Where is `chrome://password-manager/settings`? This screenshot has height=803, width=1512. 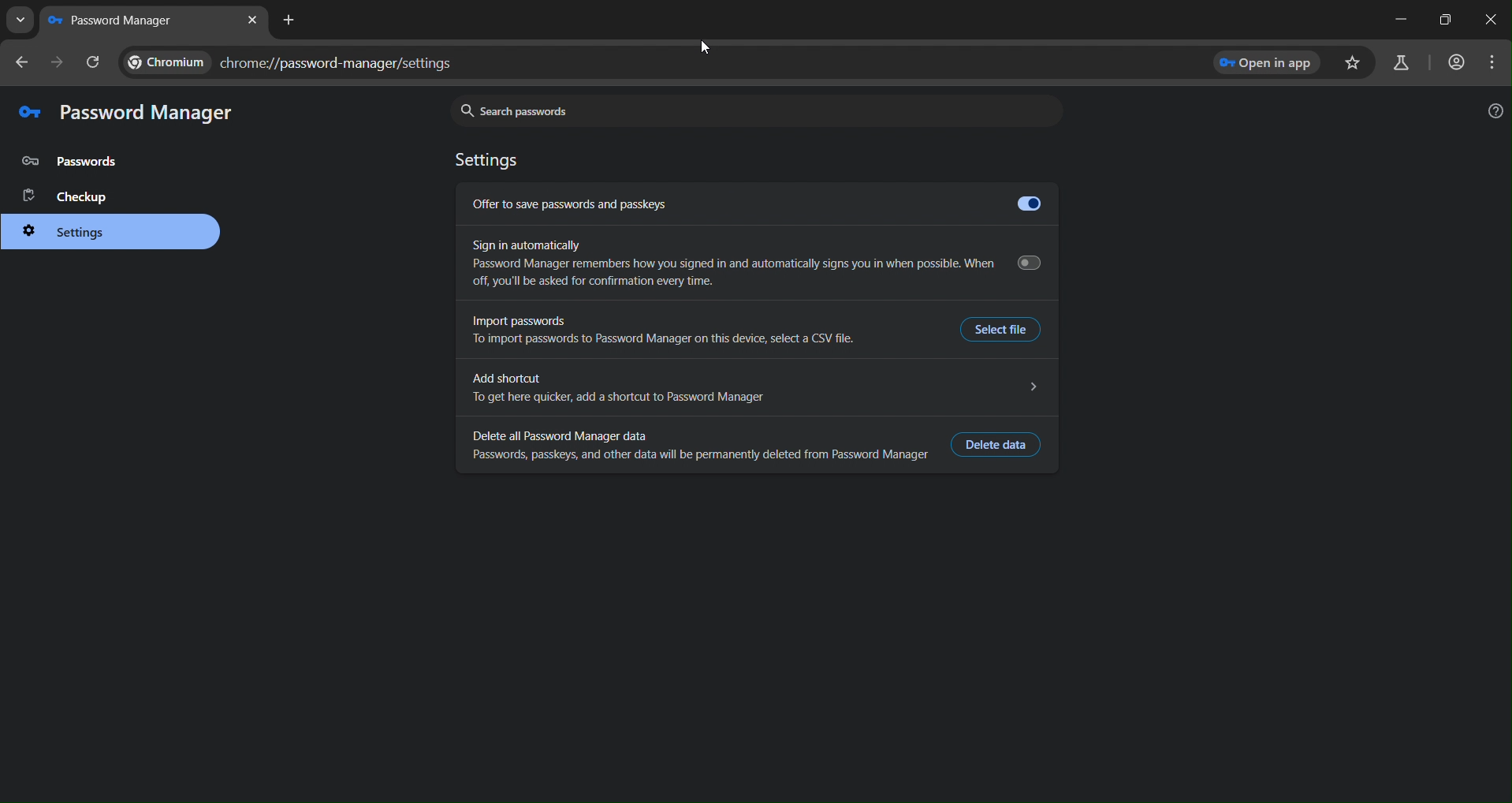
chrome://password-manager/settings is located at coordinates (286, 63).